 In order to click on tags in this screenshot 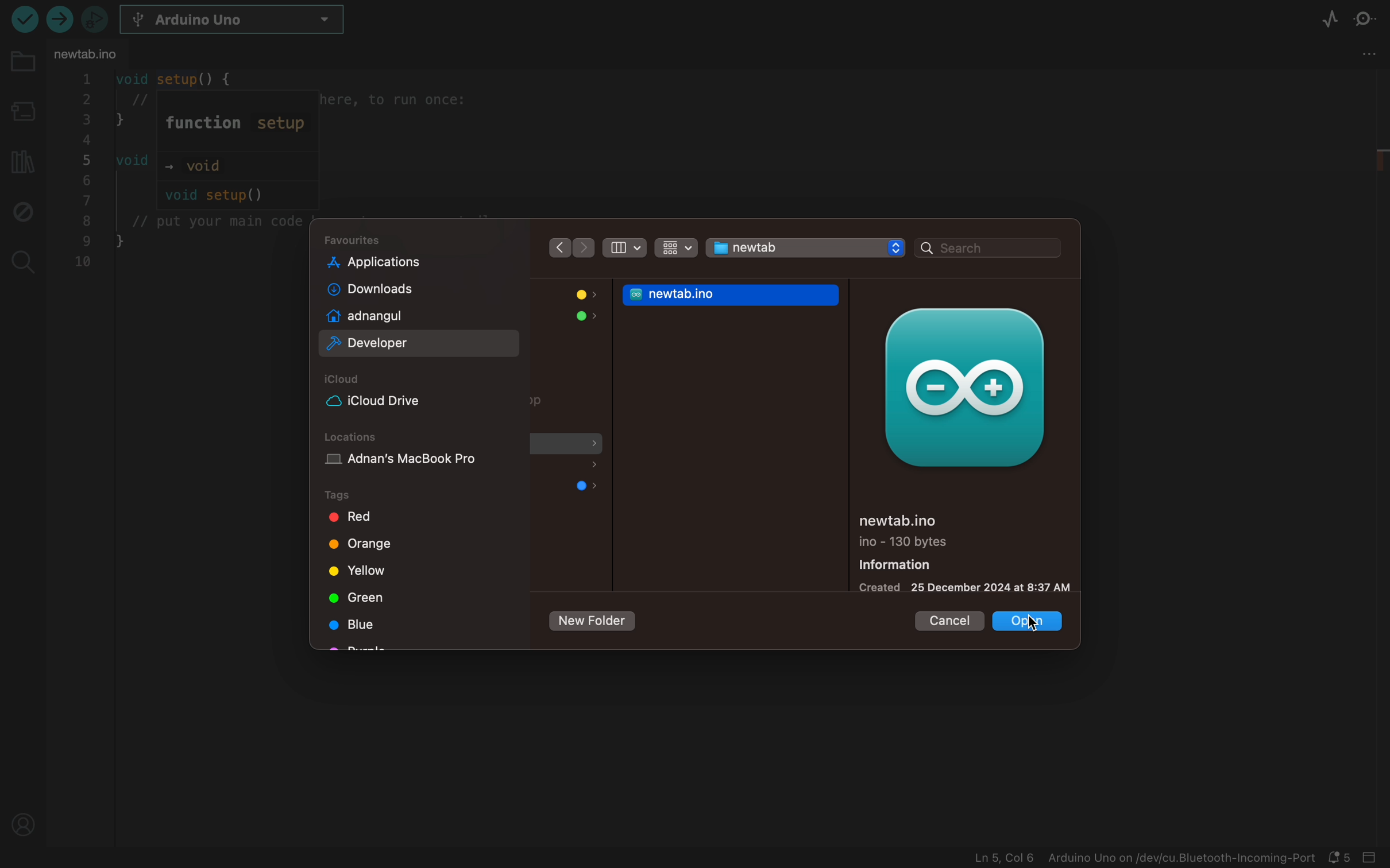, I will do `click(364, 569)`.